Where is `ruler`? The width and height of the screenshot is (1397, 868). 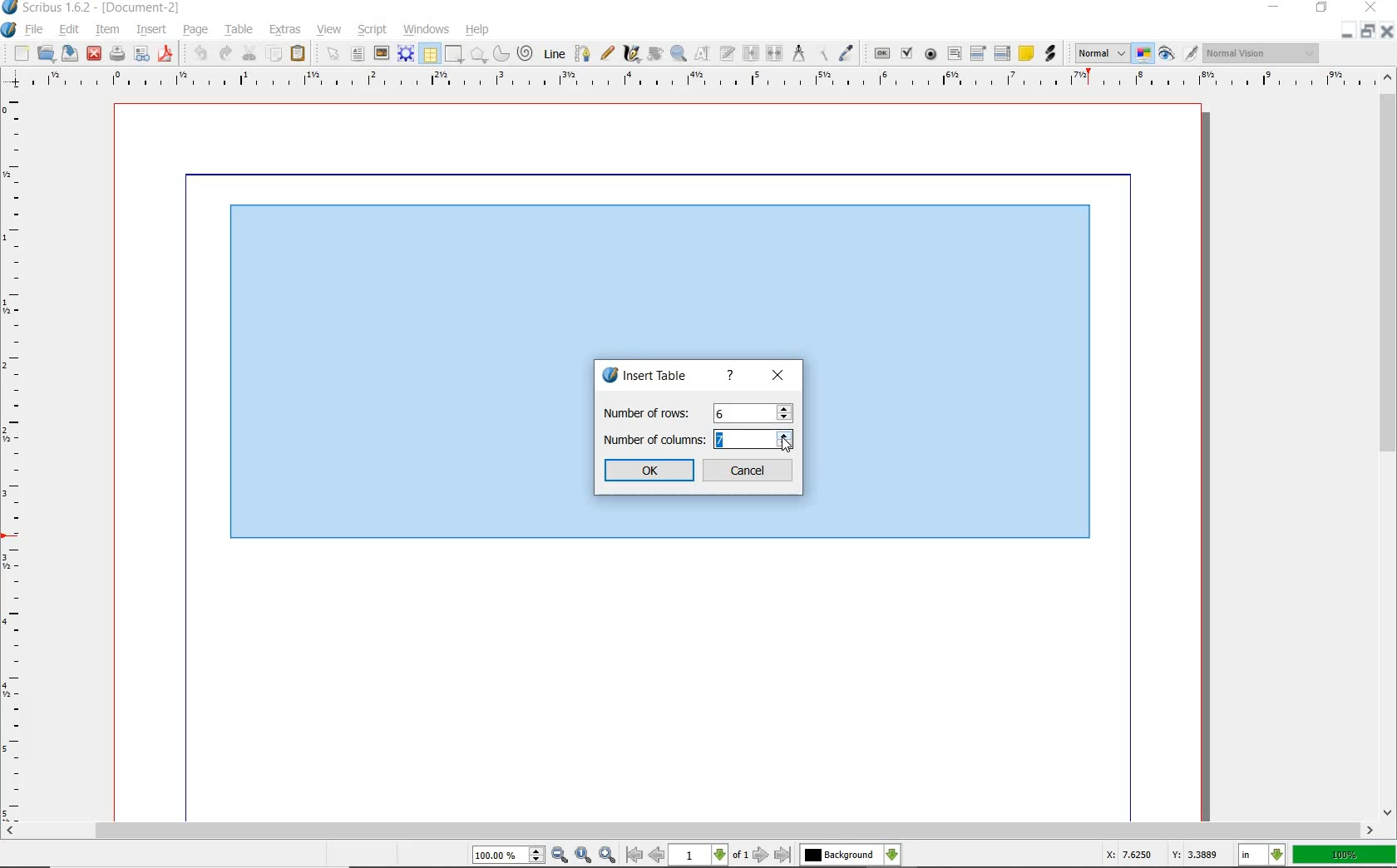 ruler is located at coordinates (15, 458).